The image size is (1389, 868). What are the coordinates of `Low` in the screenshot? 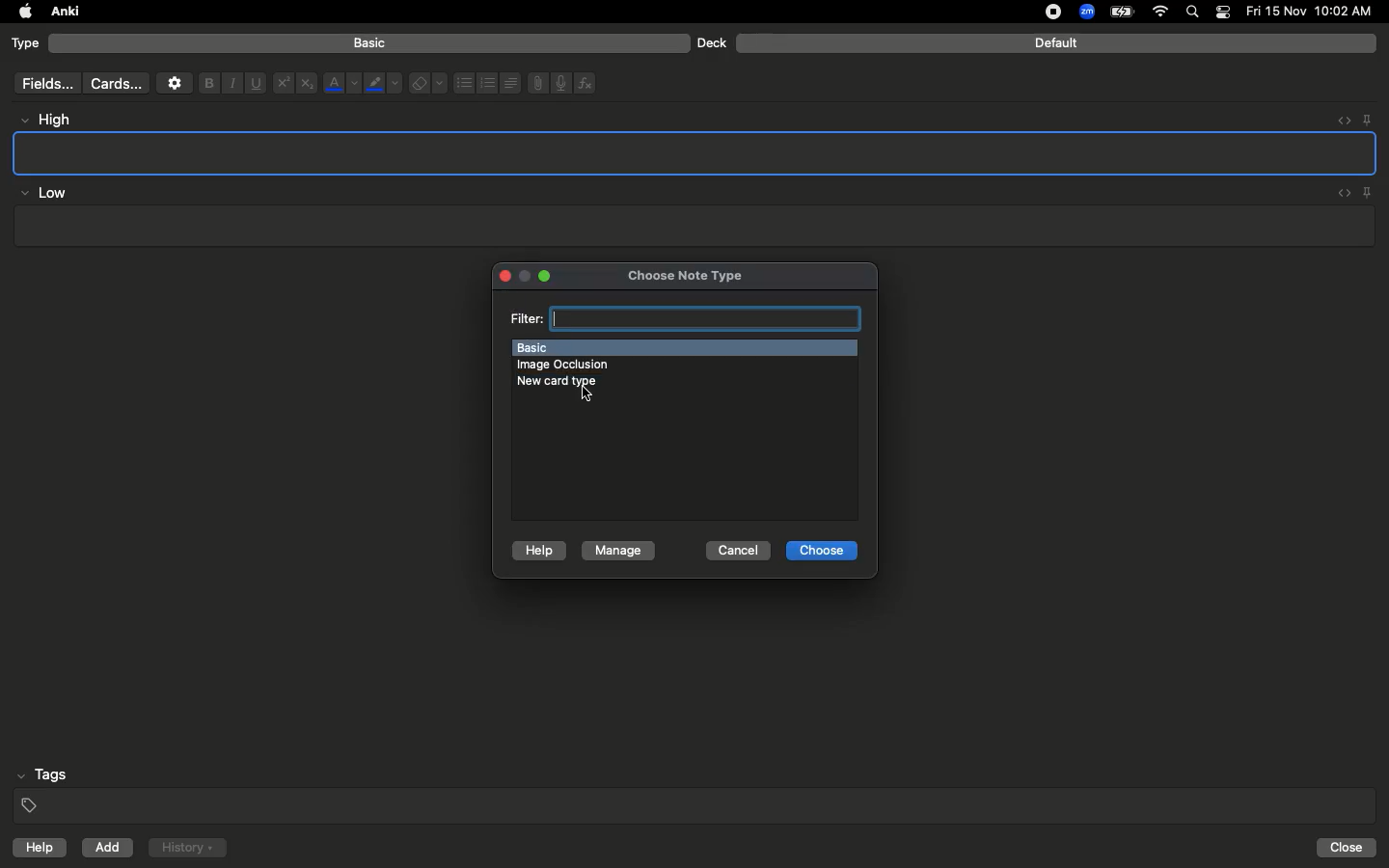 It's located at (44, 194).